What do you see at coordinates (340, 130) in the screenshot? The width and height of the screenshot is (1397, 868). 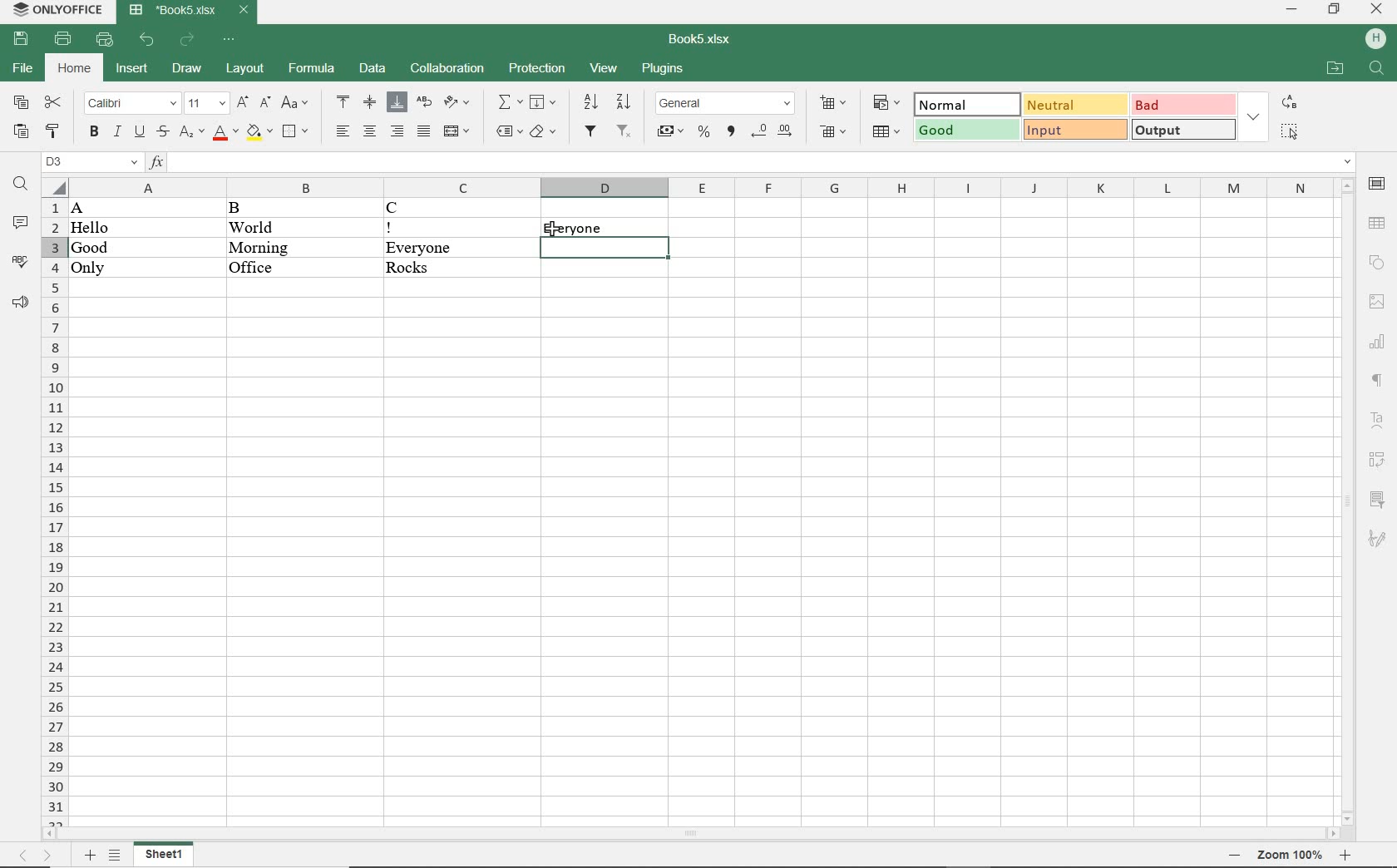 I see `align left` at bounding box center [340, 130].